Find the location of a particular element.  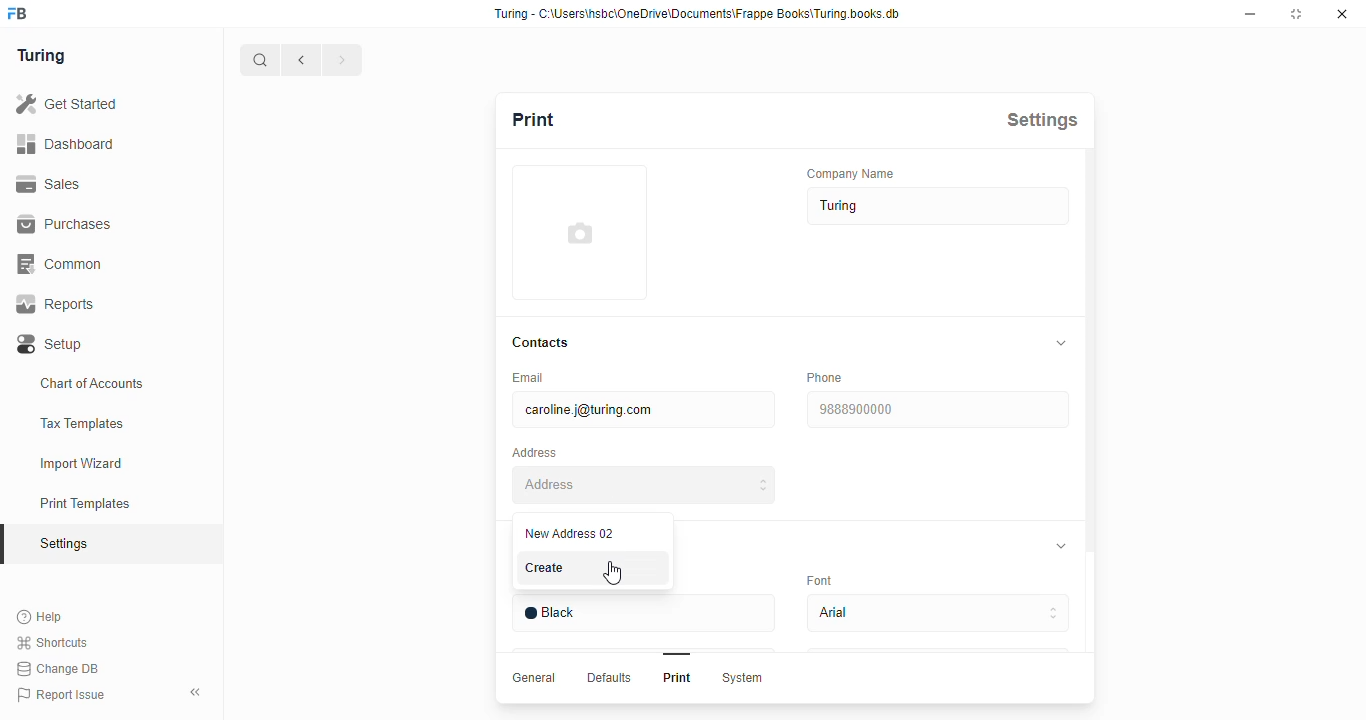

tax templates is located at coordinates (81, 423).